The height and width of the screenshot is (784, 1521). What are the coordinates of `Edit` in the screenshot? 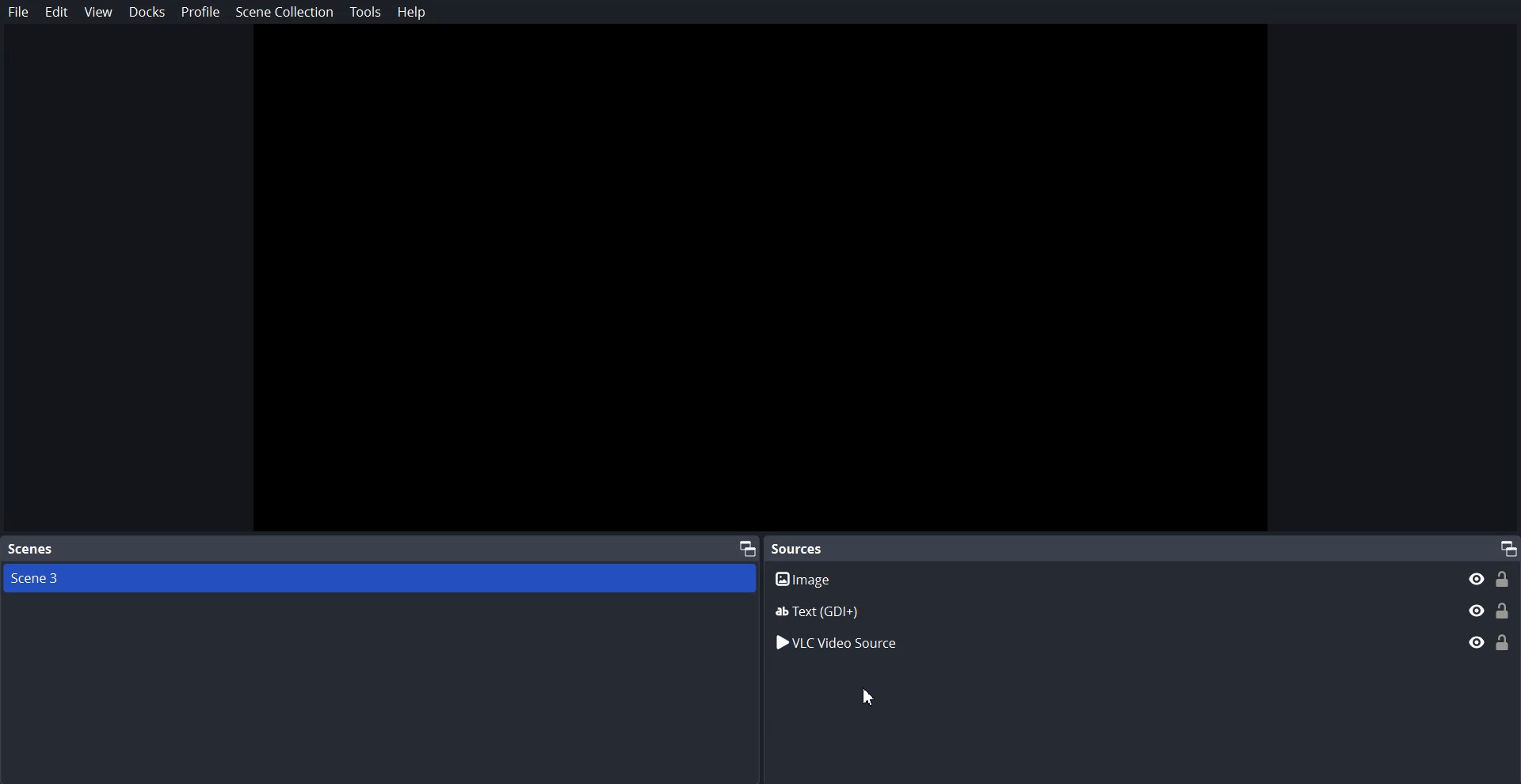 It's located at (57, 12).